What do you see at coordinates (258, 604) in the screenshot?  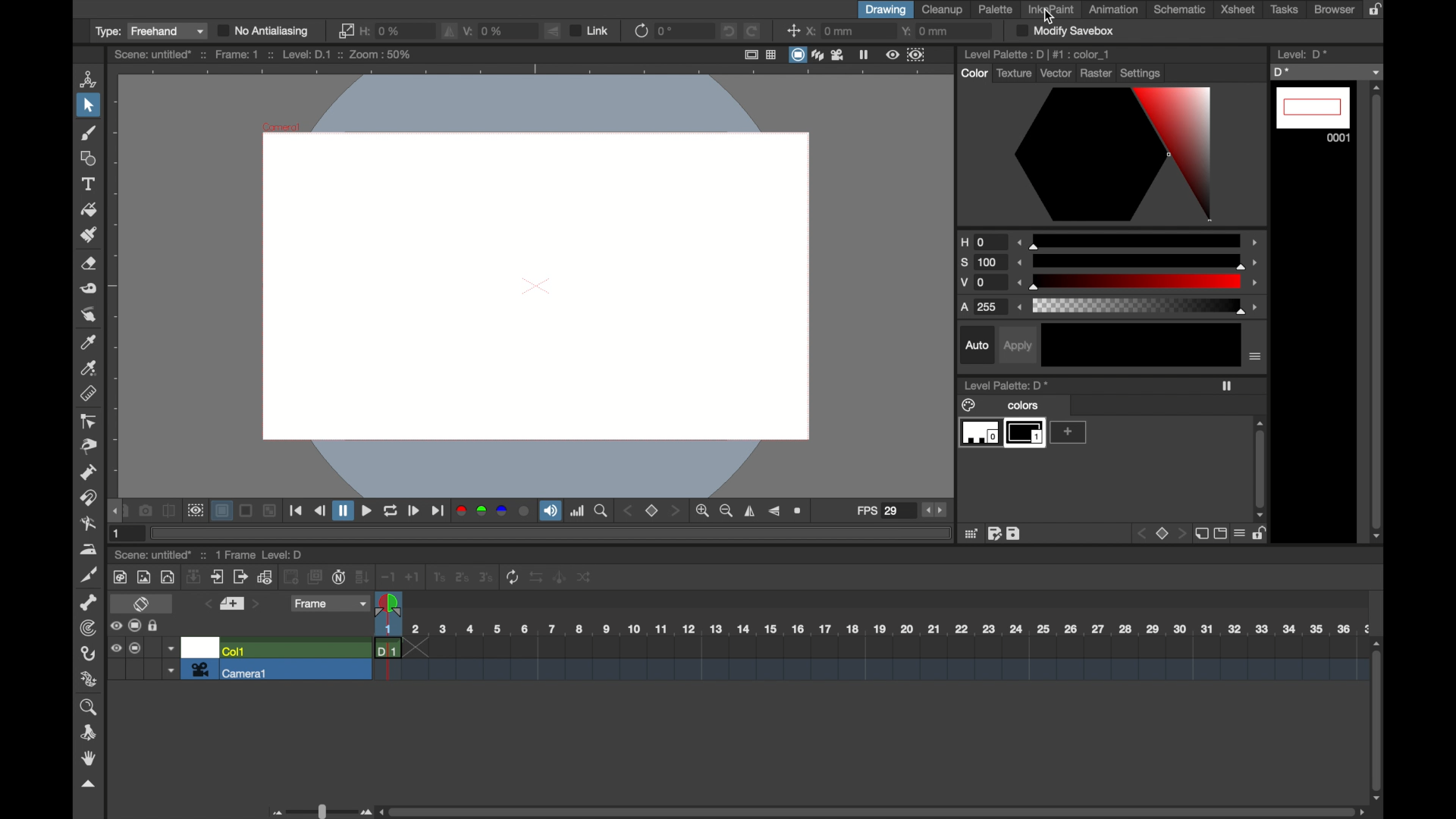 I see `next set` at bounding box center [258, 604].